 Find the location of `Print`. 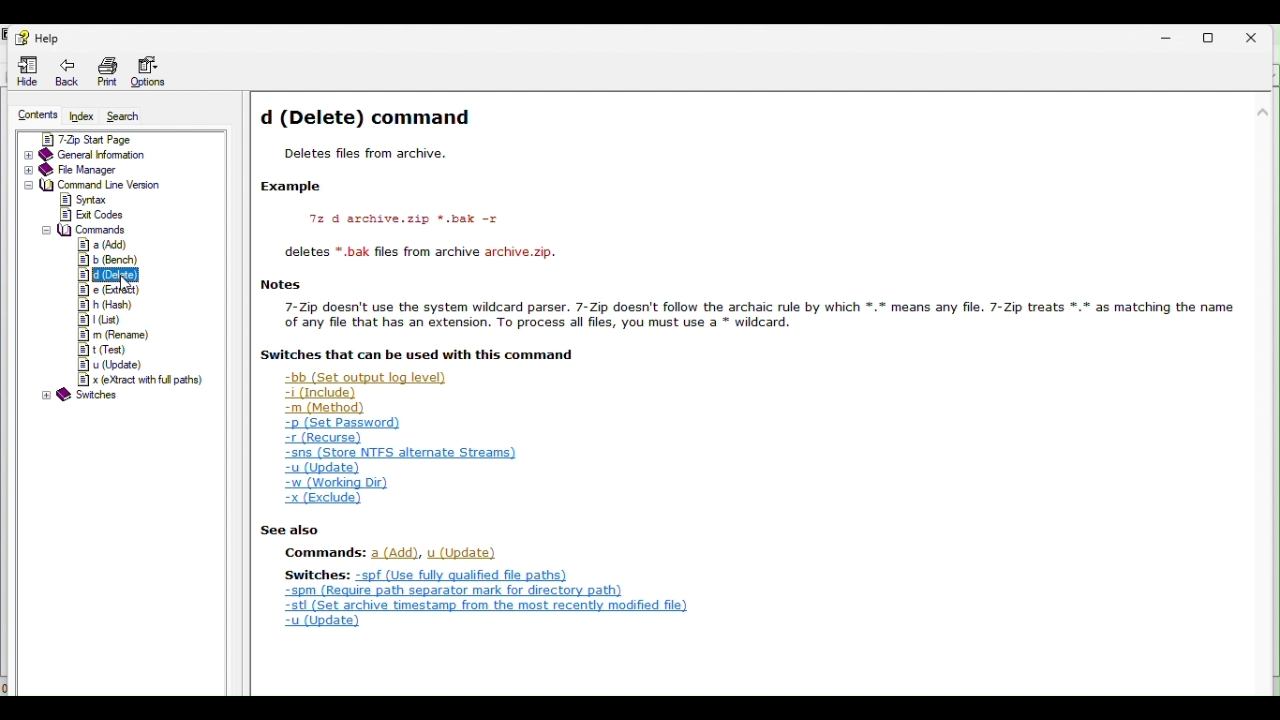

Print is located at coordinates (106, 71).